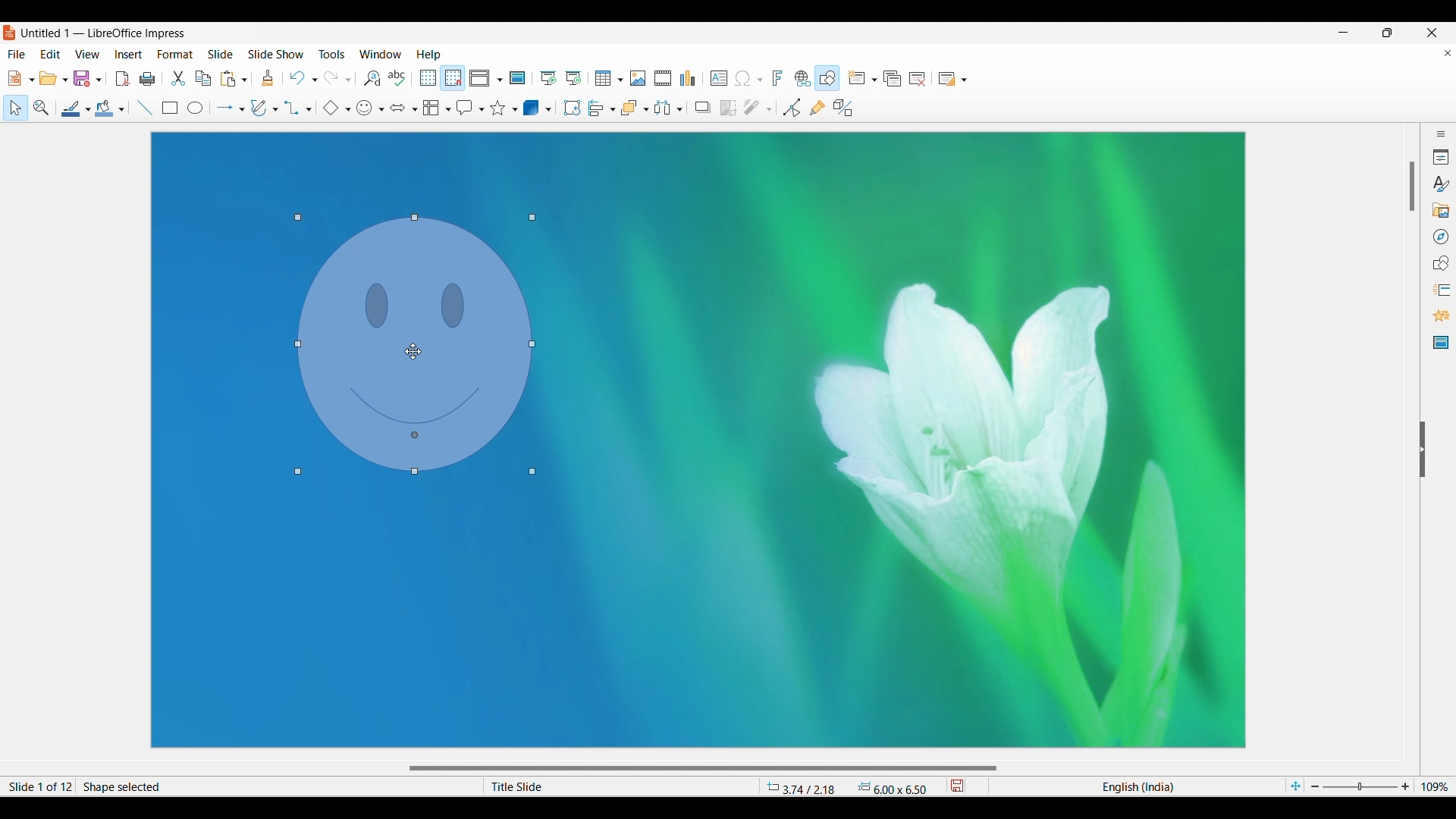  Describe the element at coordinates (225, 108) in the screenshot. I see `Selected arrow` at that location.